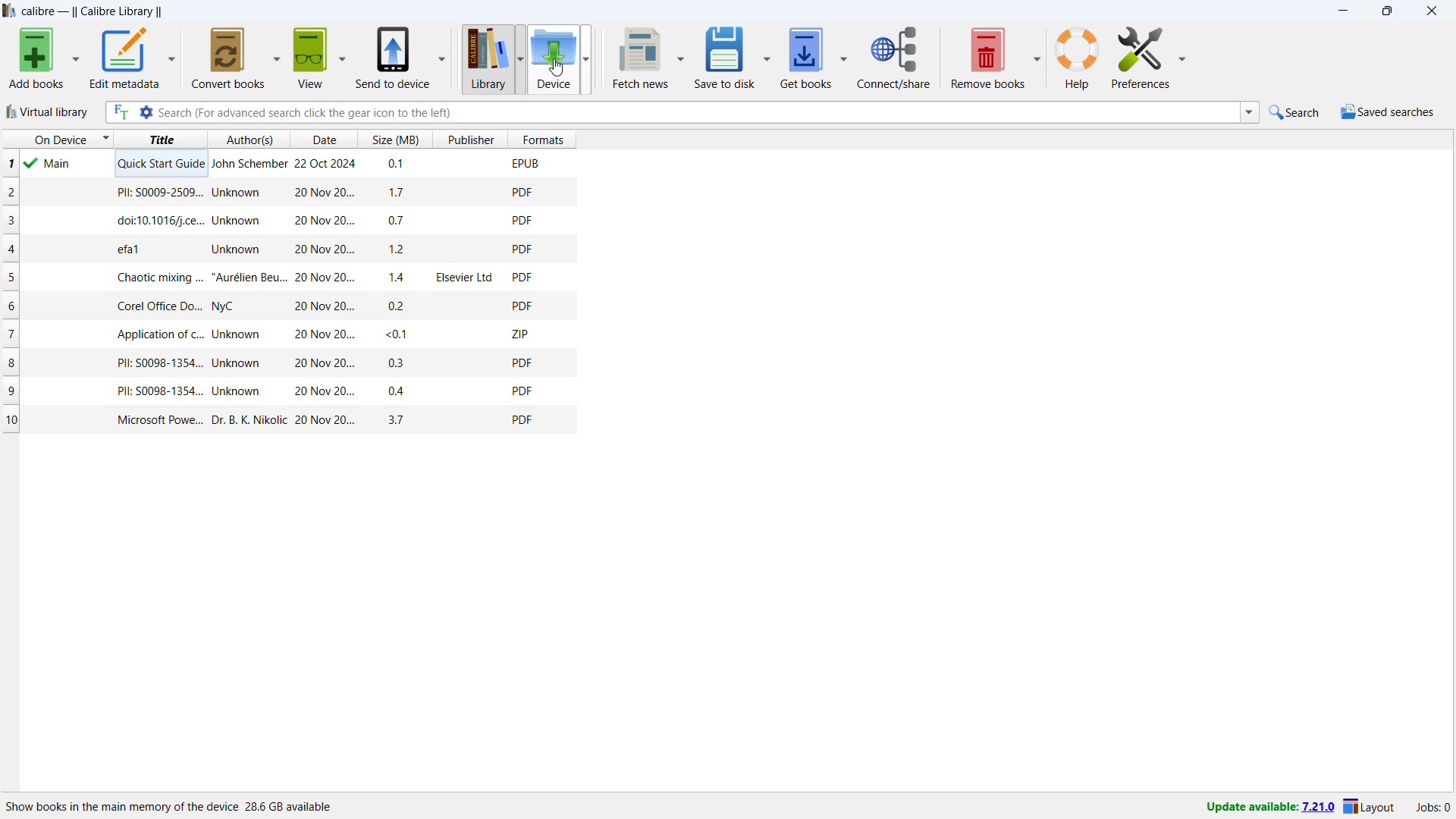 The width and height of the screenshot is (1456, 819). Describe the element at coordinates (698, 112) in the screenshot. I see `enter search string` at that location.